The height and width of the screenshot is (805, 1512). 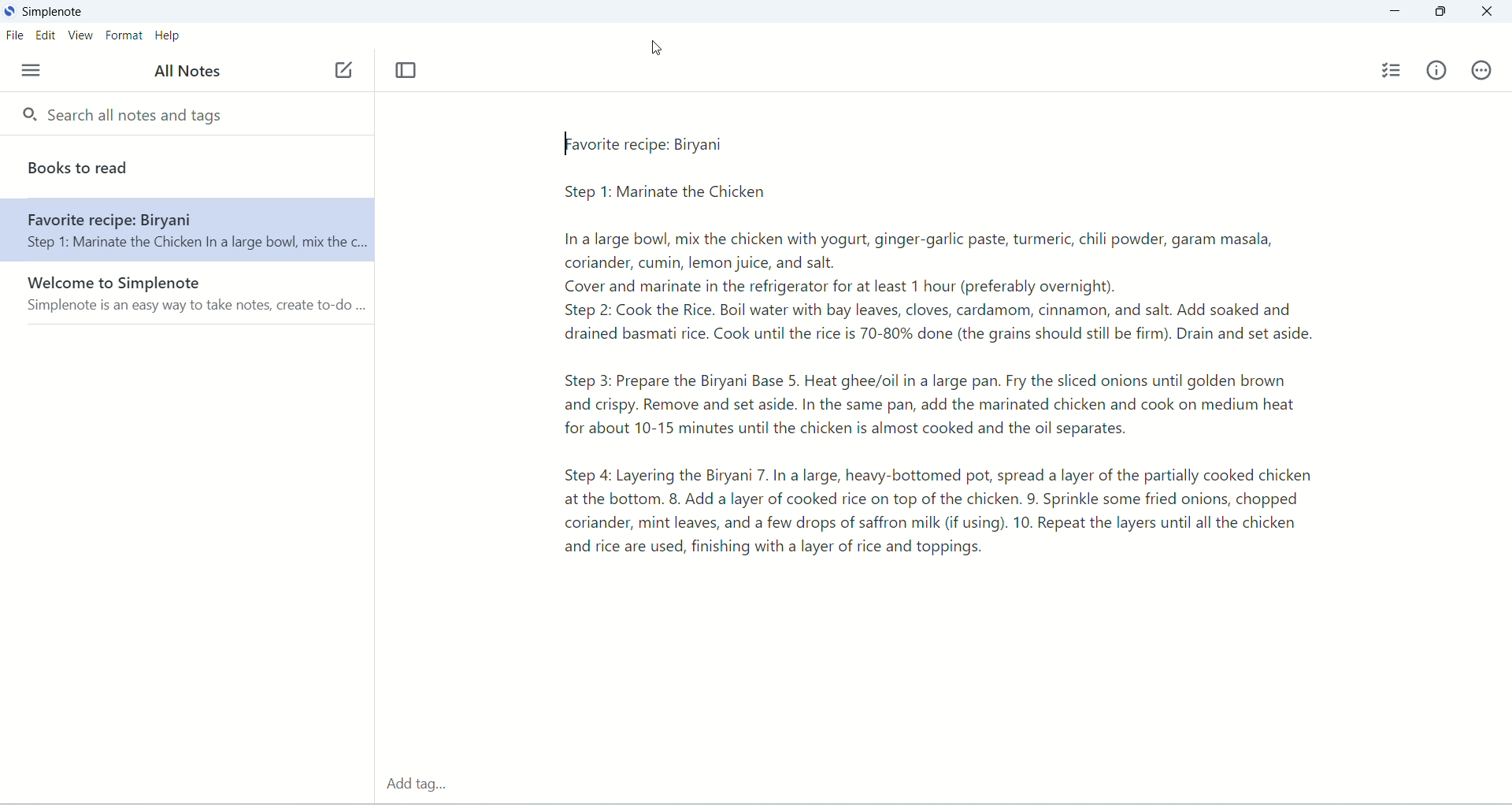 I want to click on favorite recipe, so click(x=186, y=235).